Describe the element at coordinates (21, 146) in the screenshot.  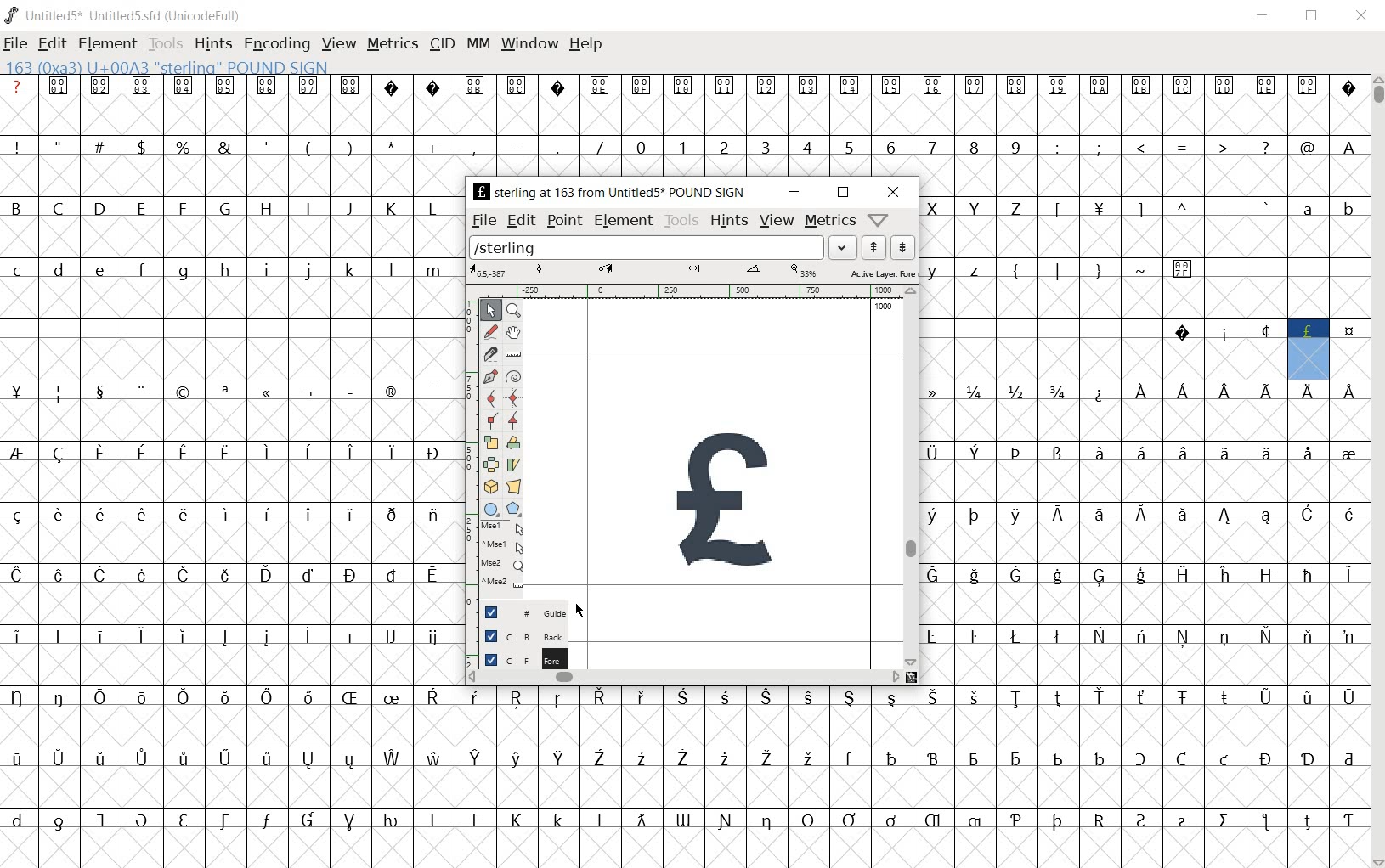
I see `!` at that location.